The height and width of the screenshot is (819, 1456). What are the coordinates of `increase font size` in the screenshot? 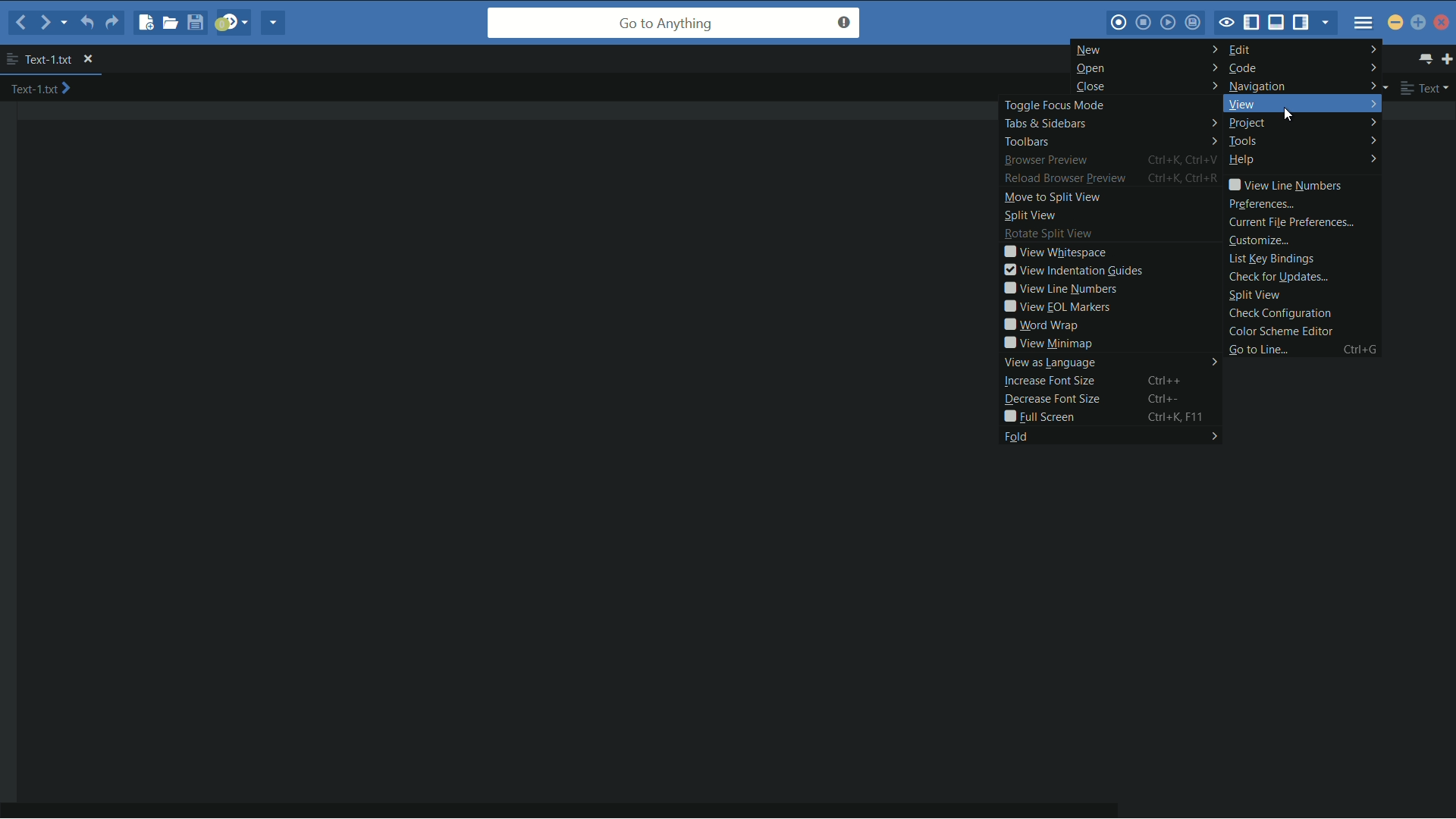 It's located at (1048, 381).